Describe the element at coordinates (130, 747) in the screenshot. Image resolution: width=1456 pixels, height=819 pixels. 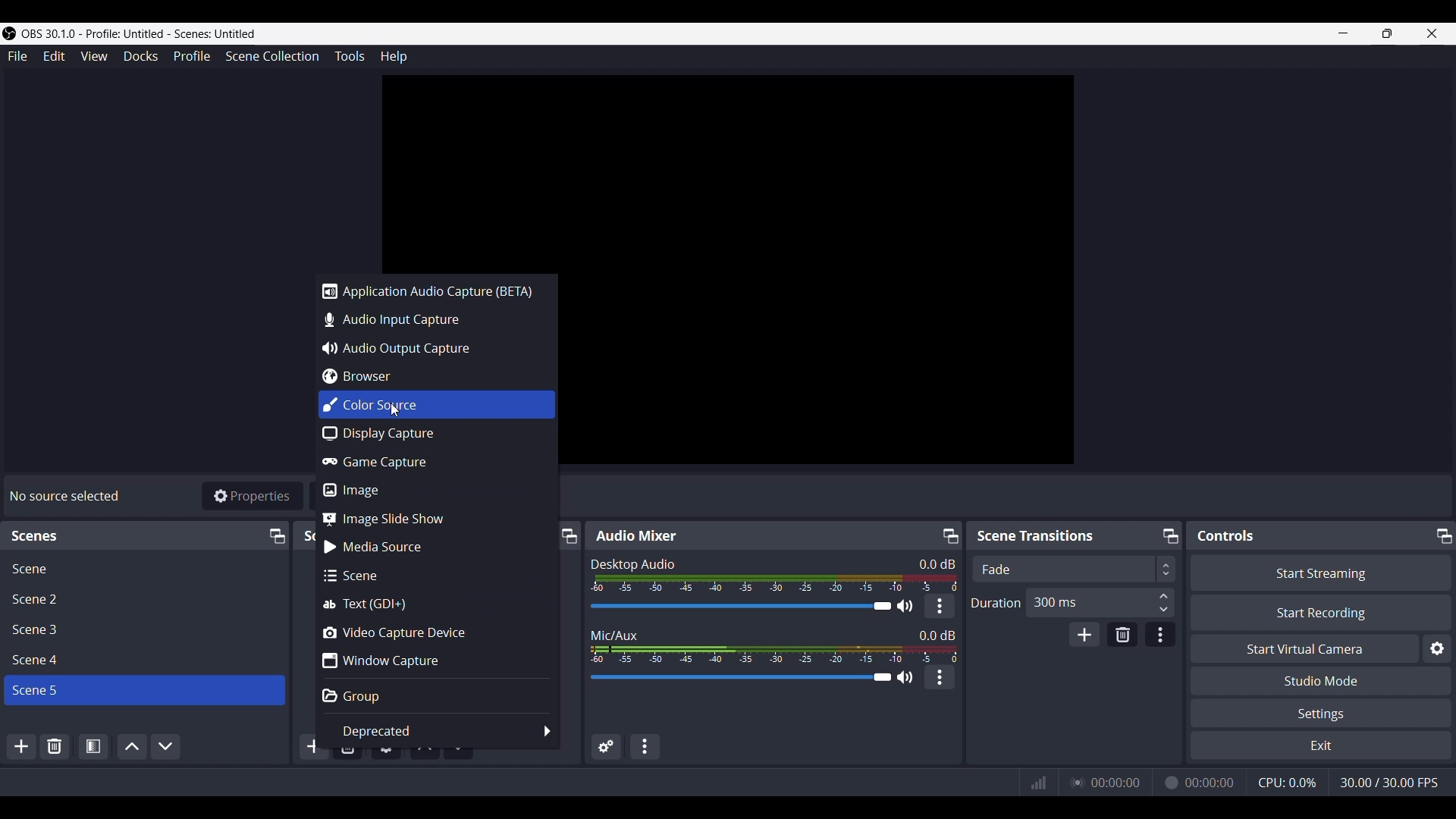
I see `Move Scene Up ` at that location.